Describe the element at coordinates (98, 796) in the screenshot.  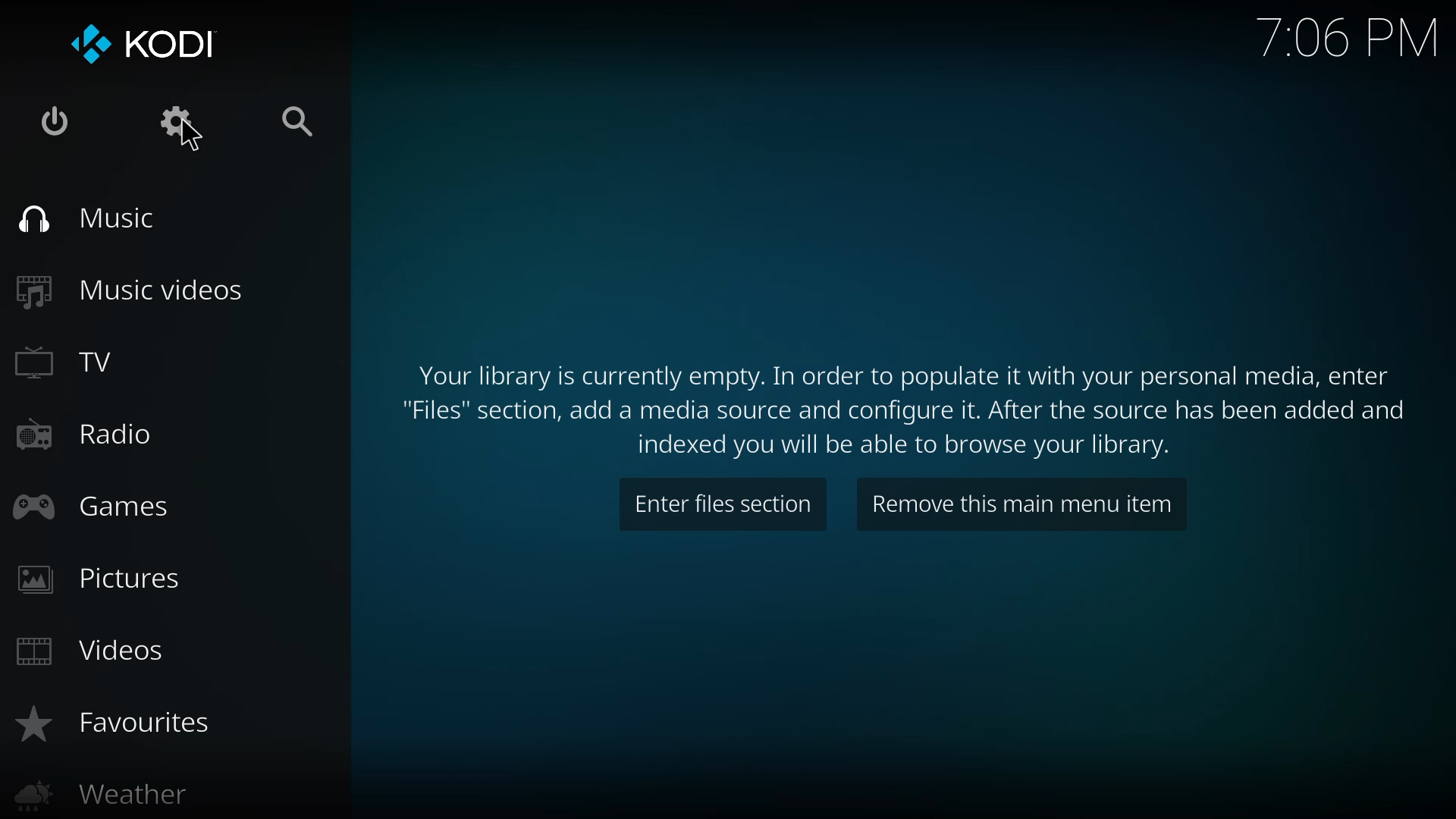
I see `weather` at that location.